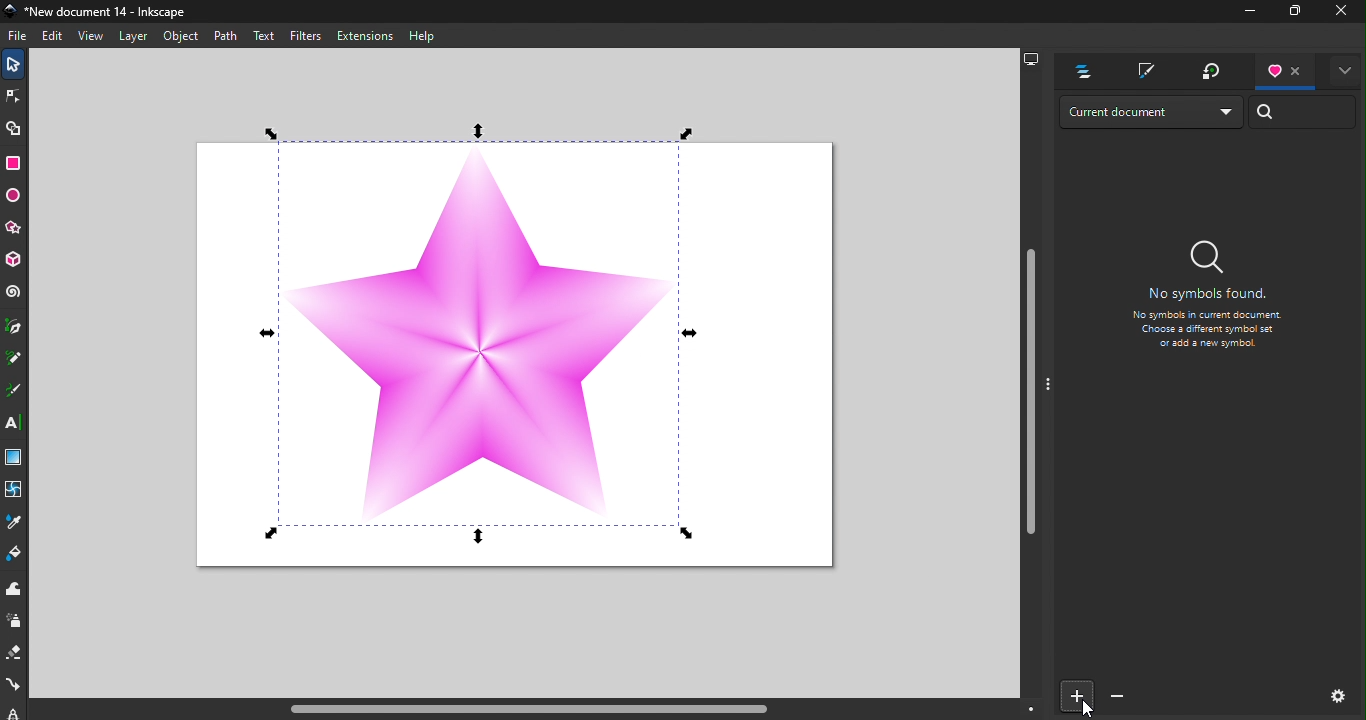  What do you see at coordinates (20, 38) in the screenshot?
I see `File` at bounding box center [20, 38].